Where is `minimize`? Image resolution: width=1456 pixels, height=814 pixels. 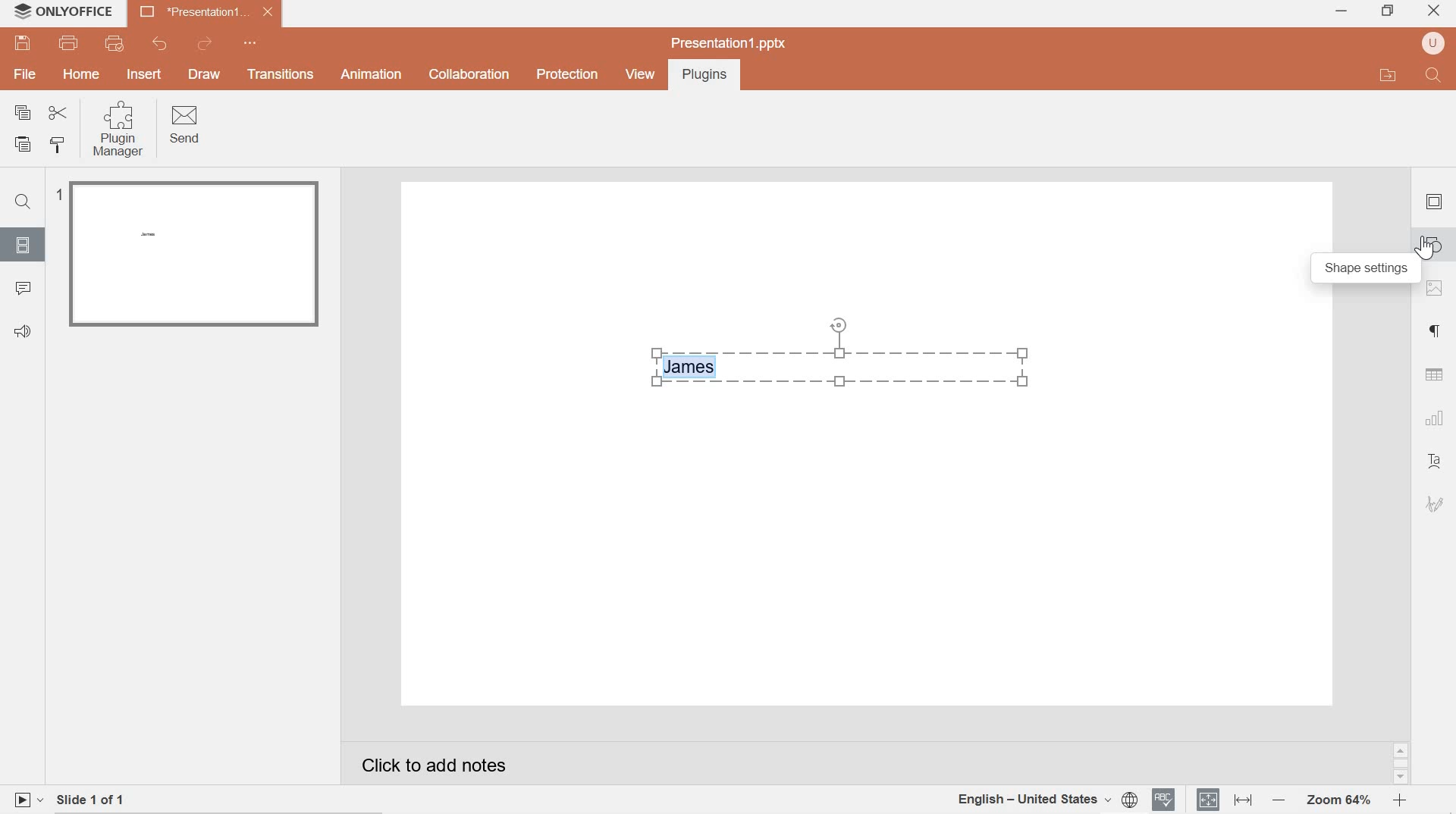 minimize is located at coordinates (1341, 12).